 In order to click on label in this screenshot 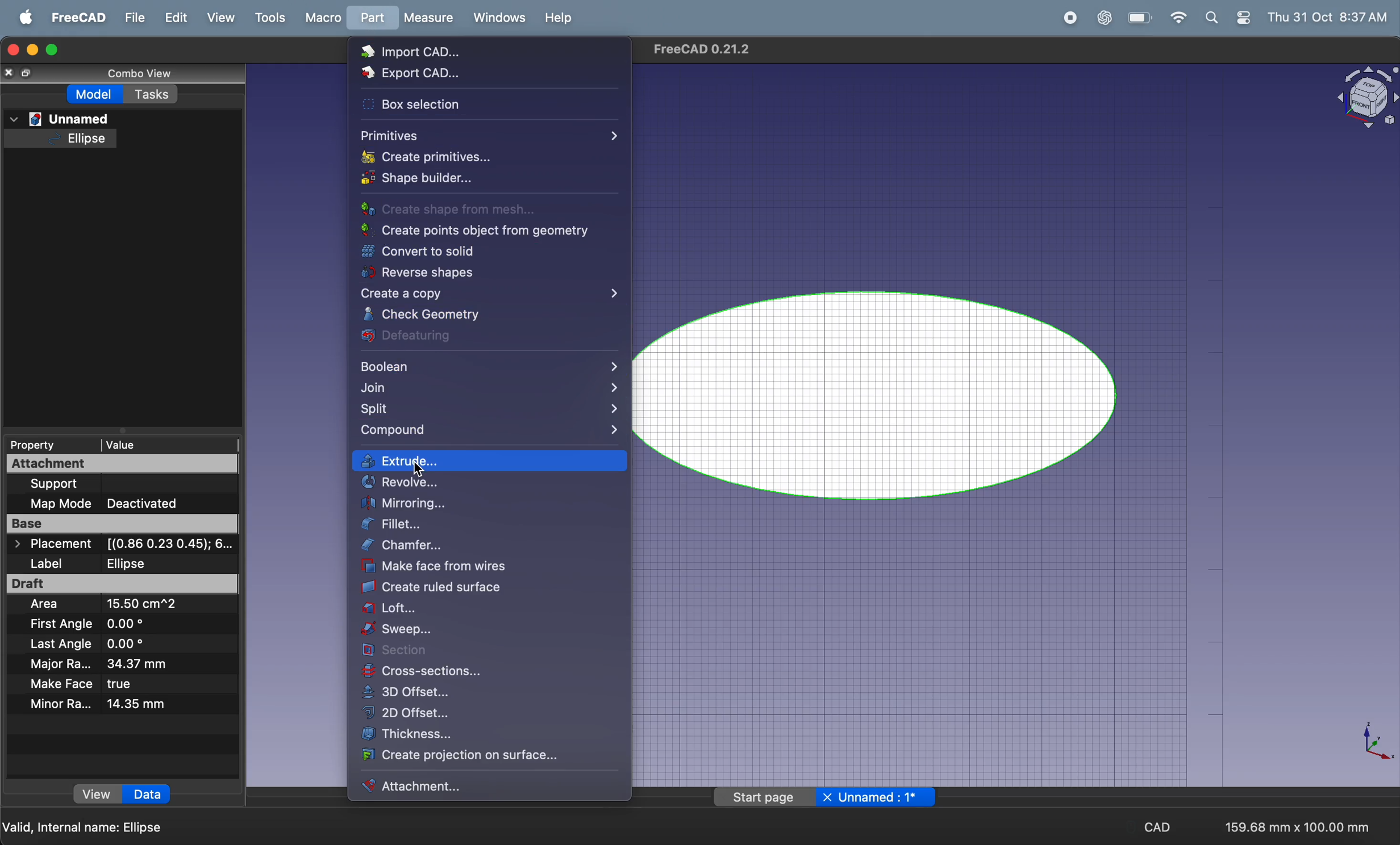, I will do `click(120, 562)`.